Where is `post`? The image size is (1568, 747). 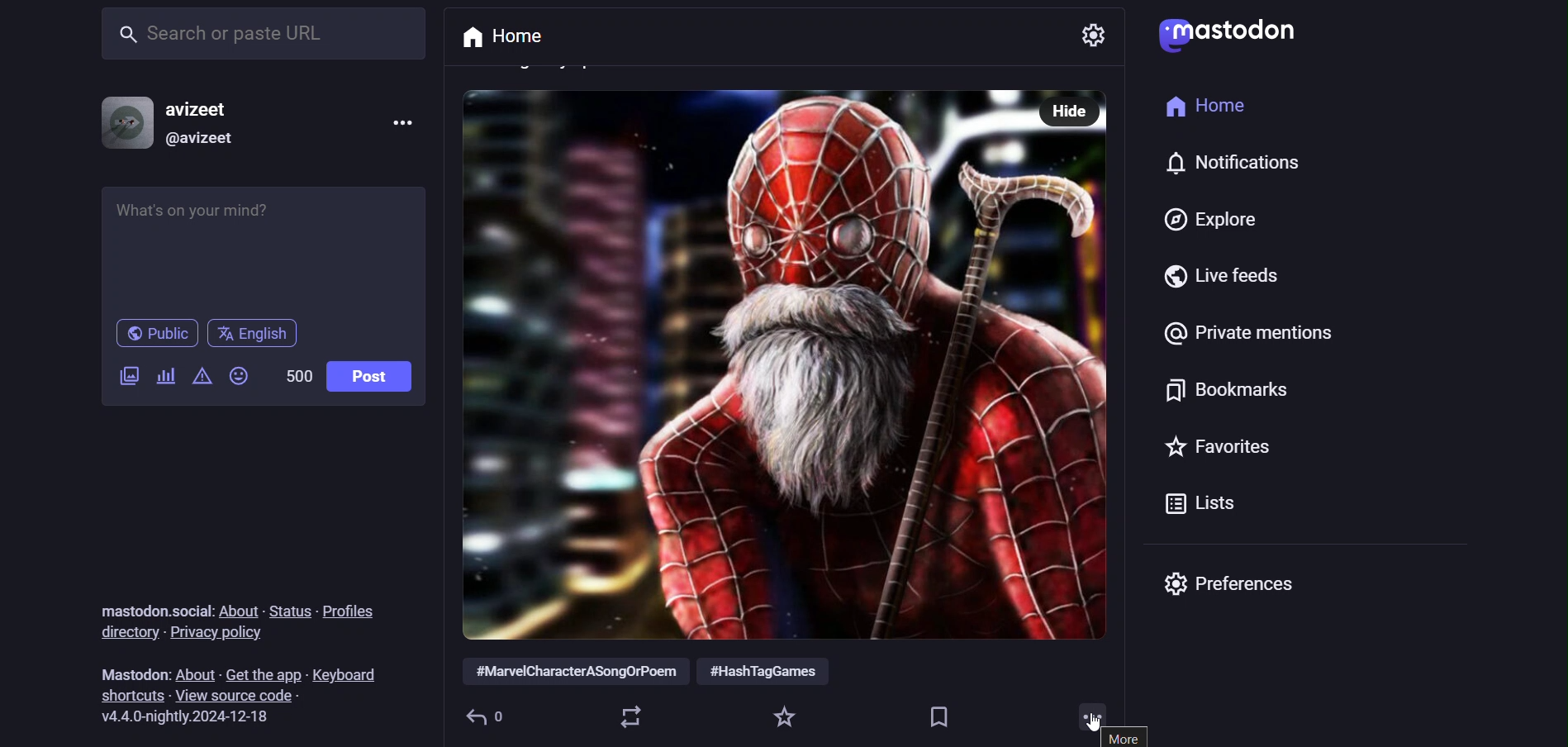 post is located at coordinates (367, 377).